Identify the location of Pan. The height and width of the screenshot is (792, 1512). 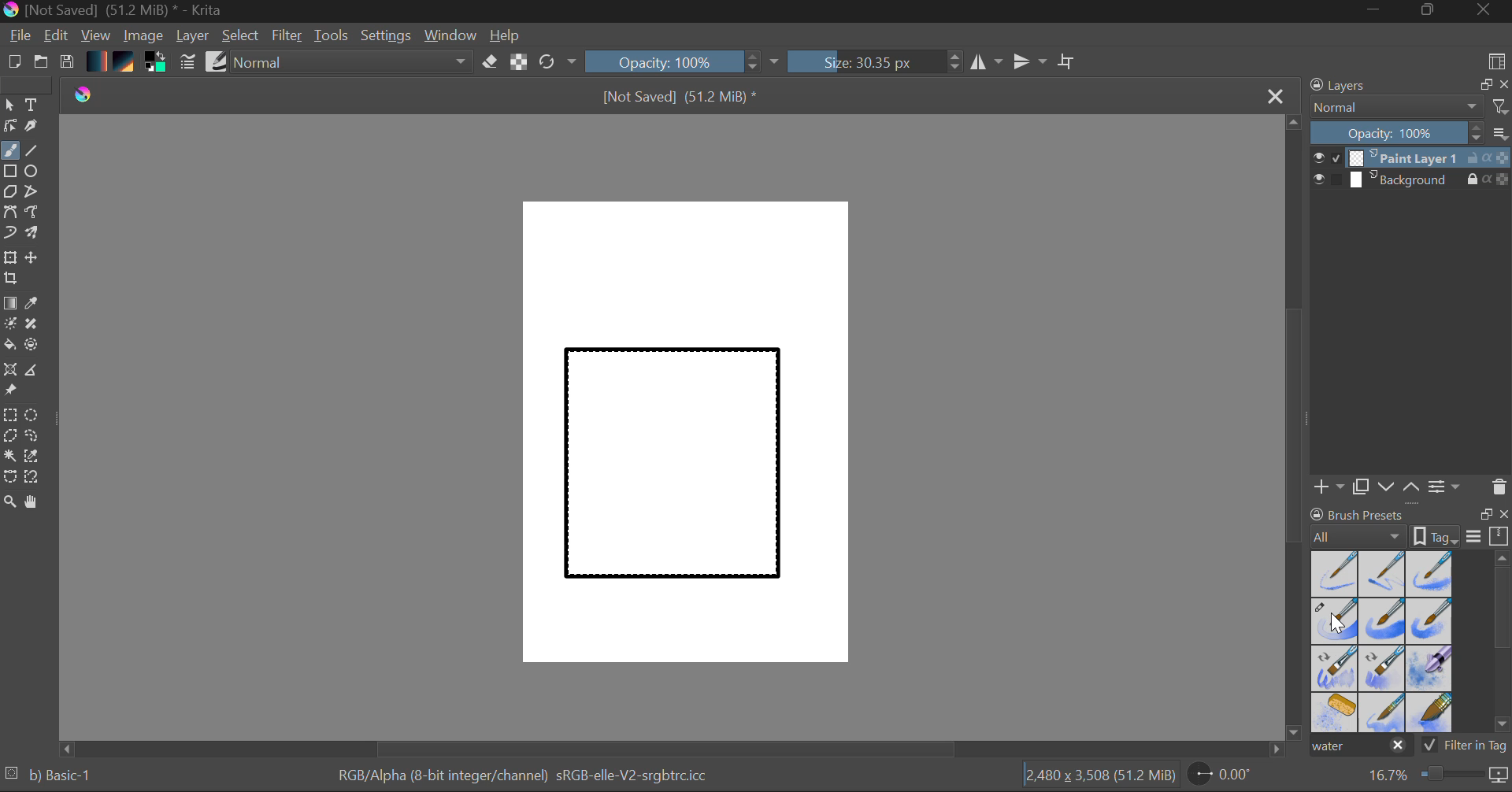
(37, 505).